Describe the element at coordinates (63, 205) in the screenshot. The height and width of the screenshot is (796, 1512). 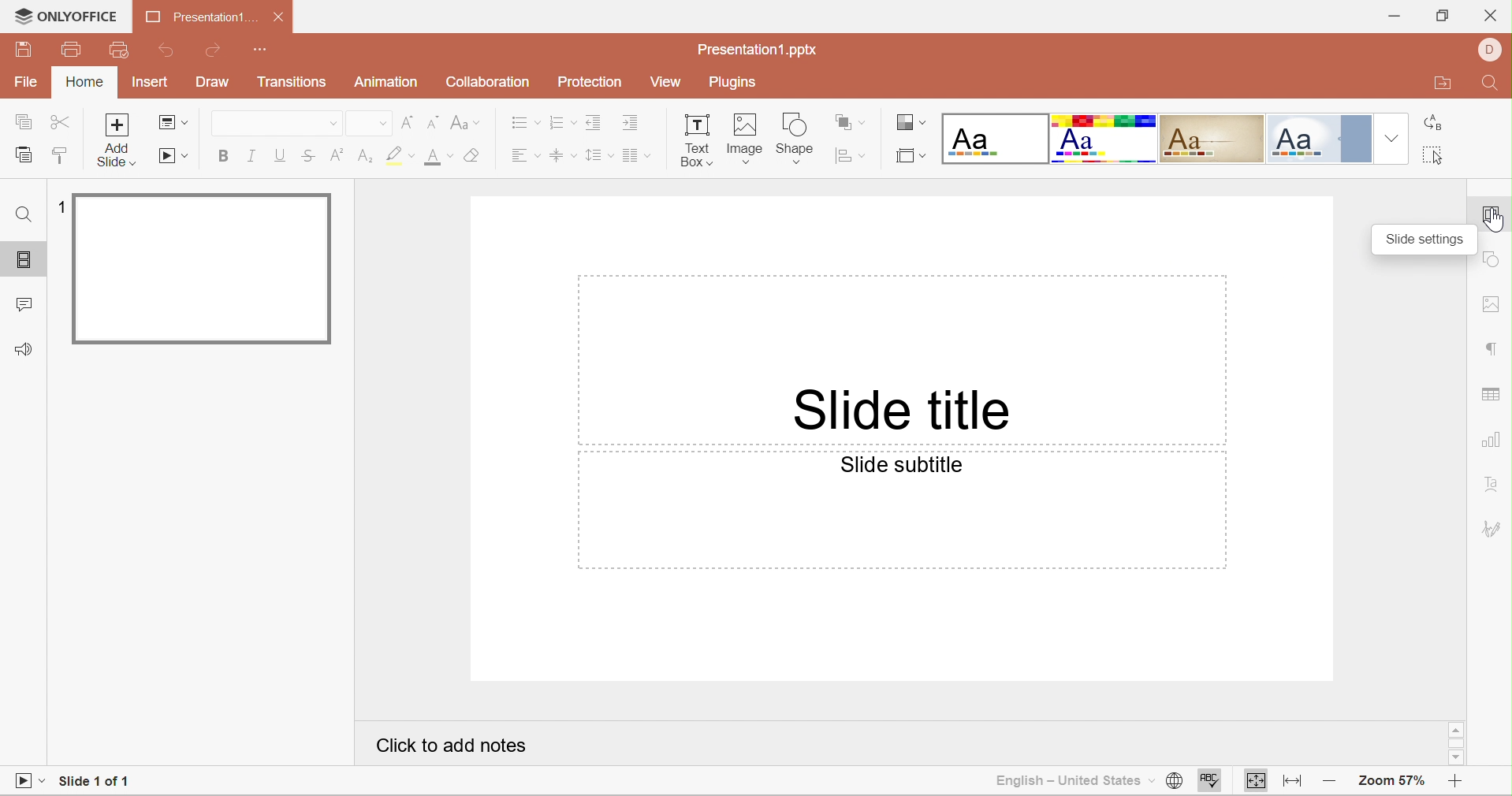
I see `1` at that location.